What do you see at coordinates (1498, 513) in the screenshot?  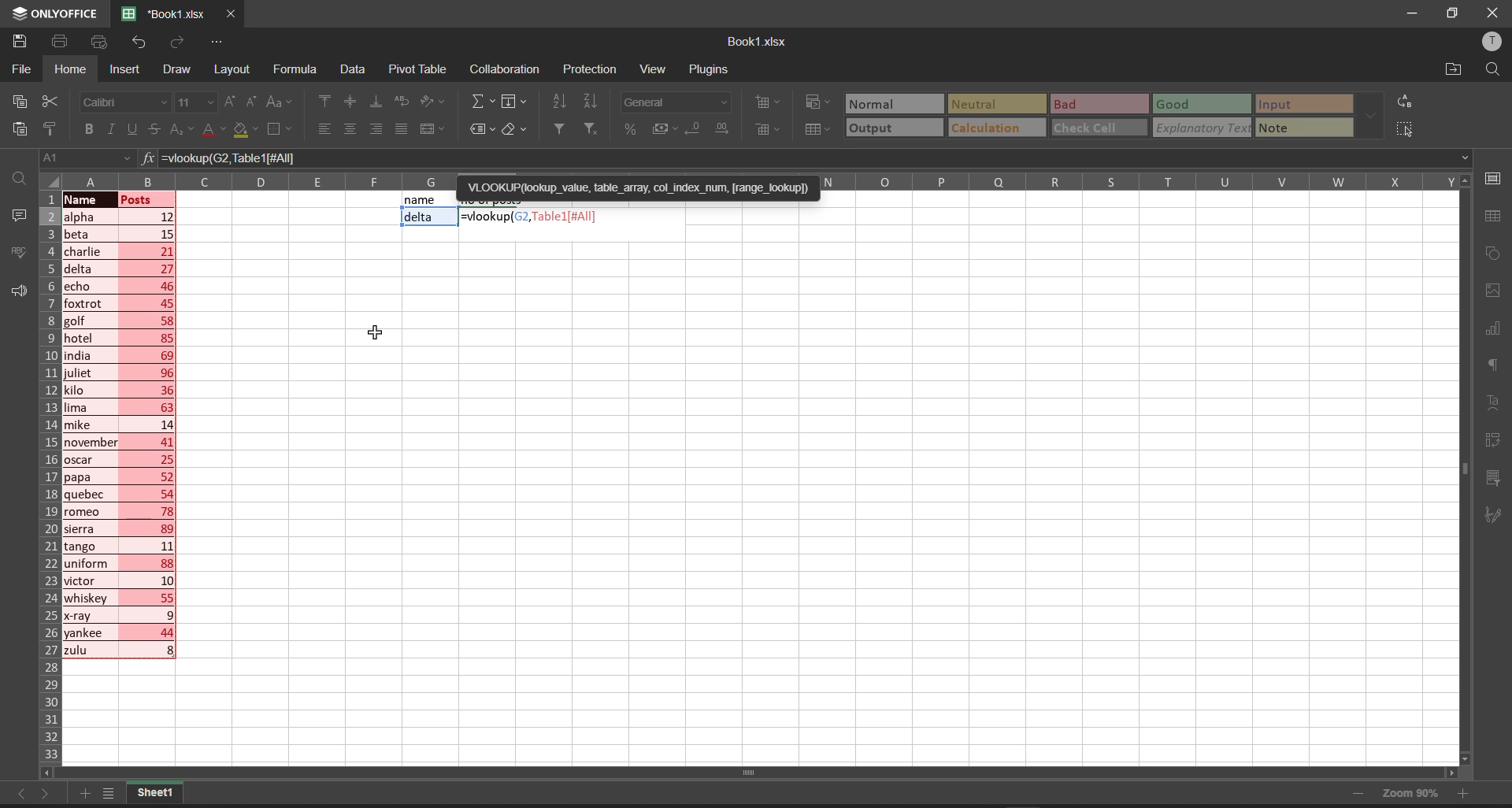 I see `signature settings` at bounding box center [1498, 513].